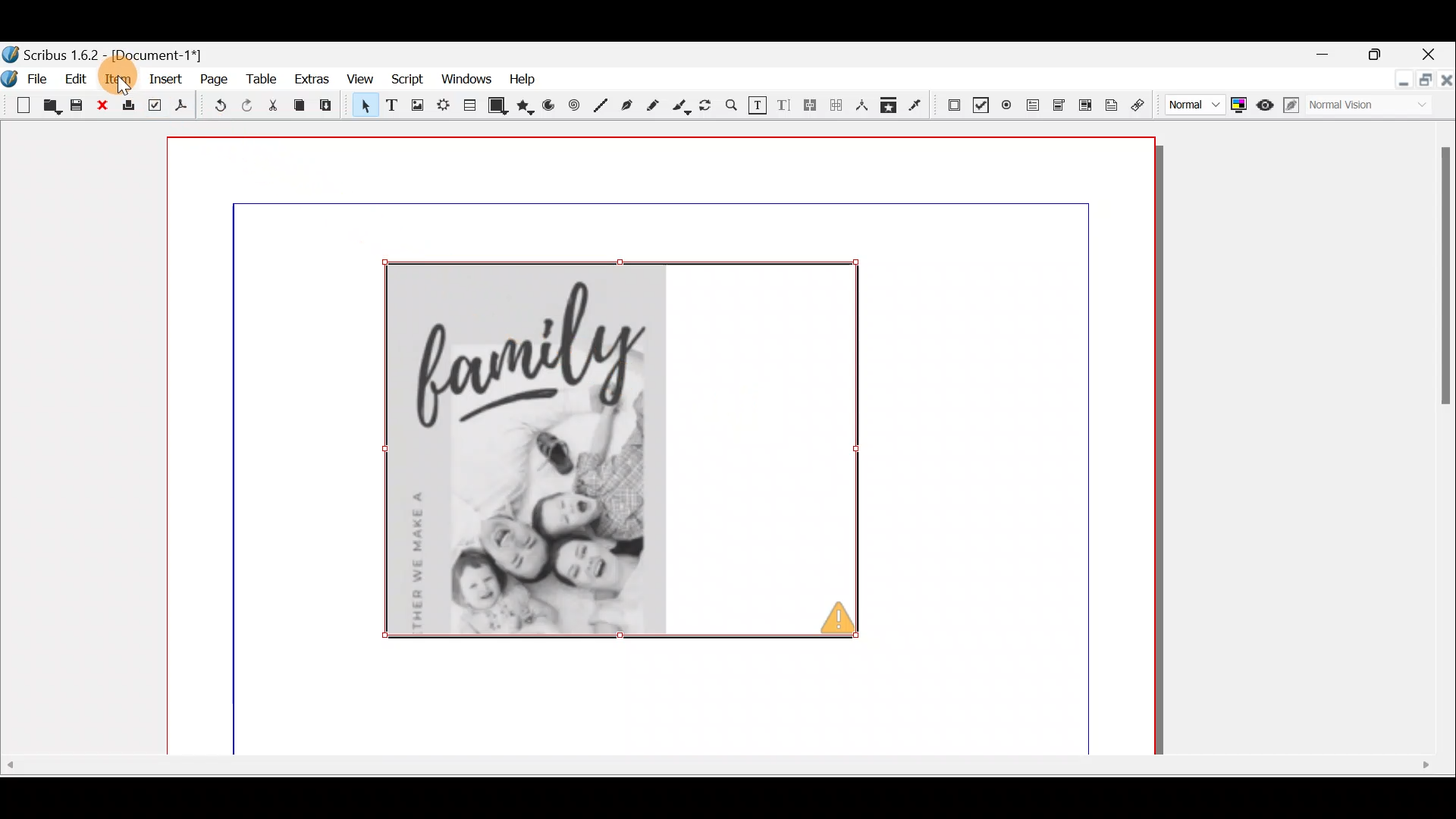 The image size is (1456, 819). Describe the element at coordinates (442, 107) in the screenshot. I see `Render frame` at that location.